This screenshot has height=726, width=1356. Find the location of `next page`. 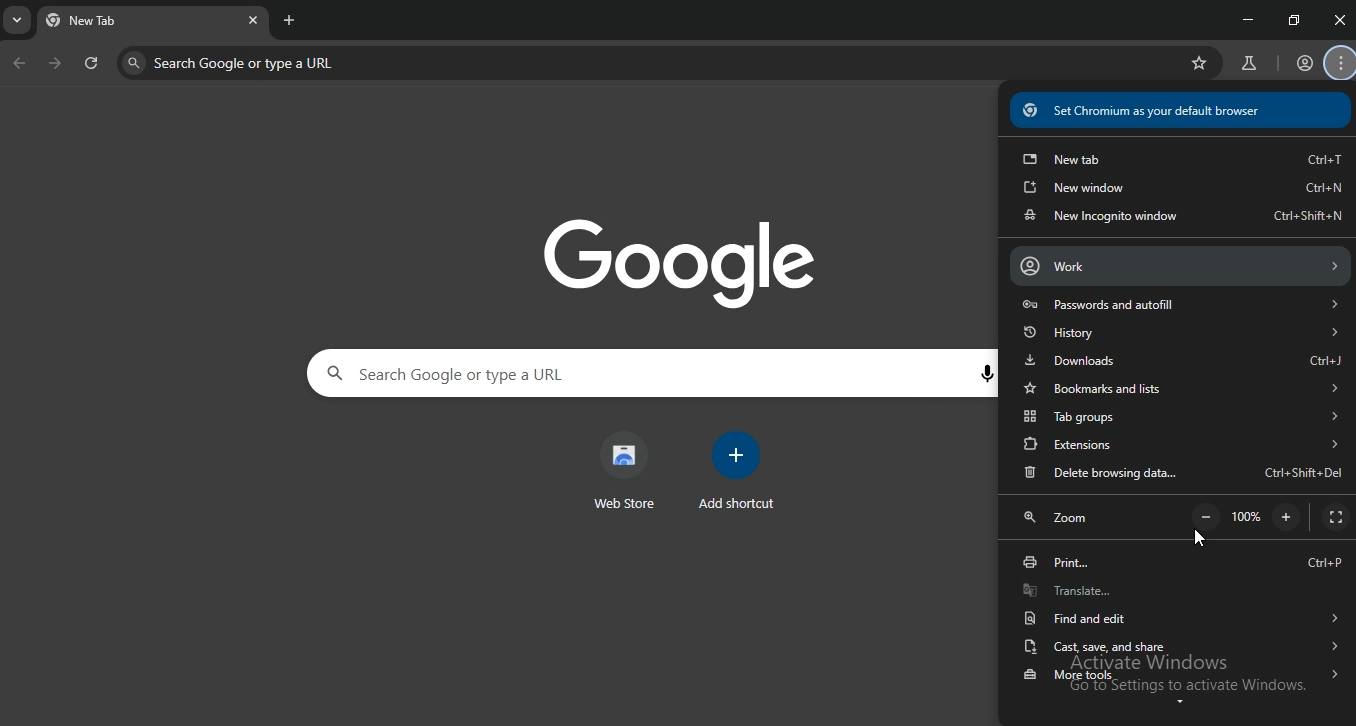

next page is located at coordinates (56, 65).